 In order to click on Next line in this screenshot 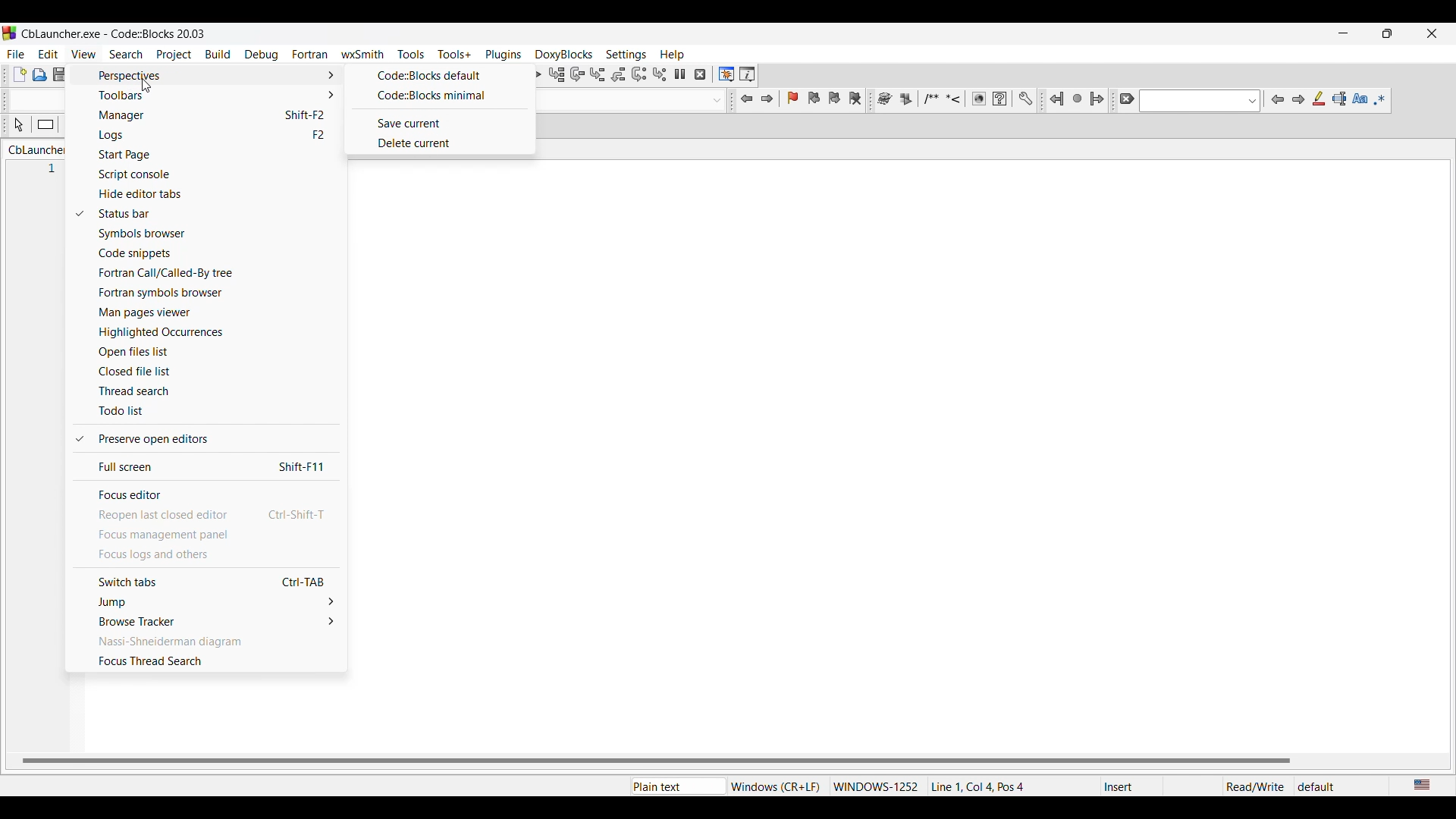, I will do `click(578, 74)`.